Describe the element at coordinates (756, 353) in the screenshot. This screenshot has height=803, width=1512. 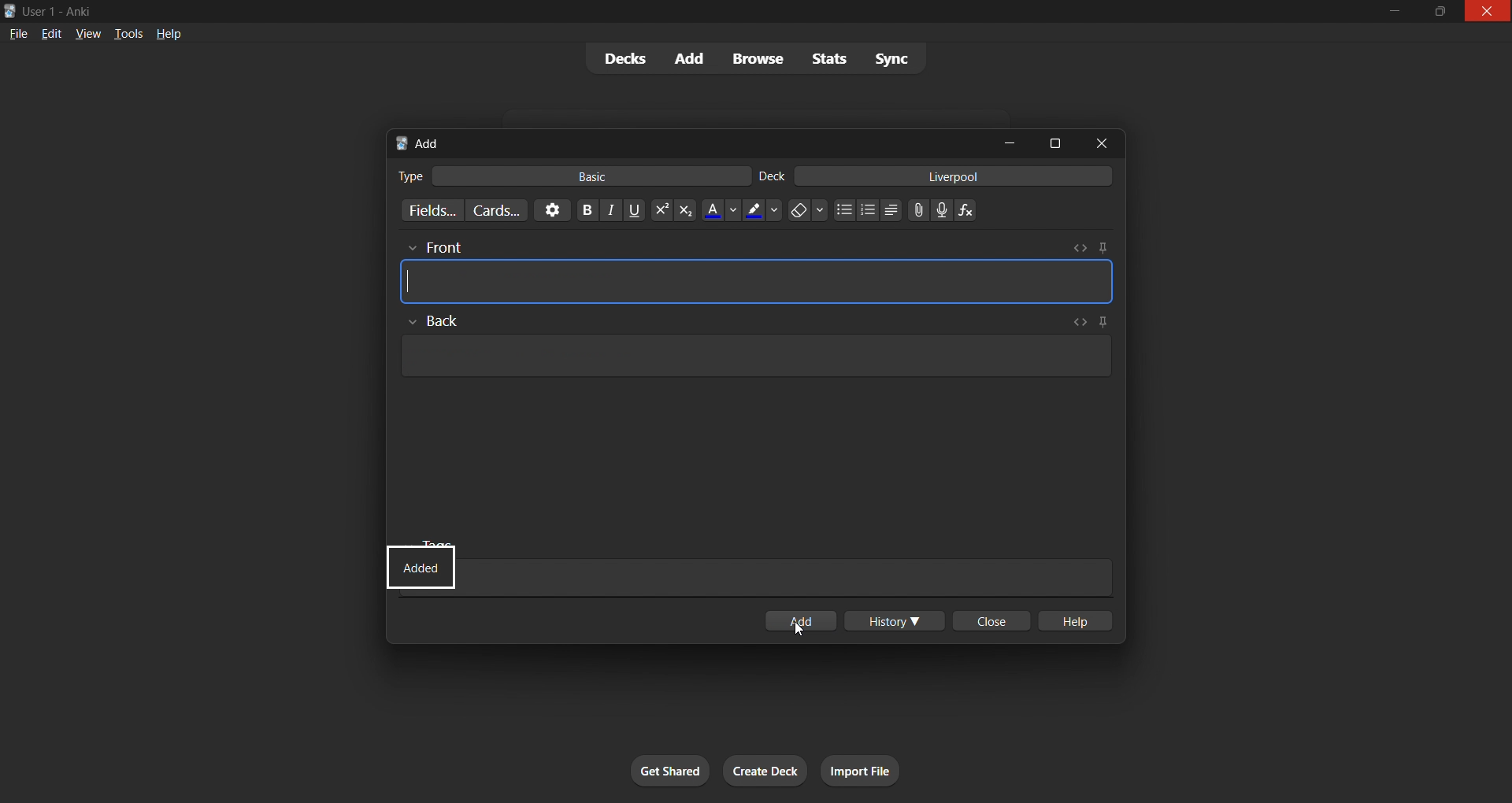
I see `card back input` at that location.